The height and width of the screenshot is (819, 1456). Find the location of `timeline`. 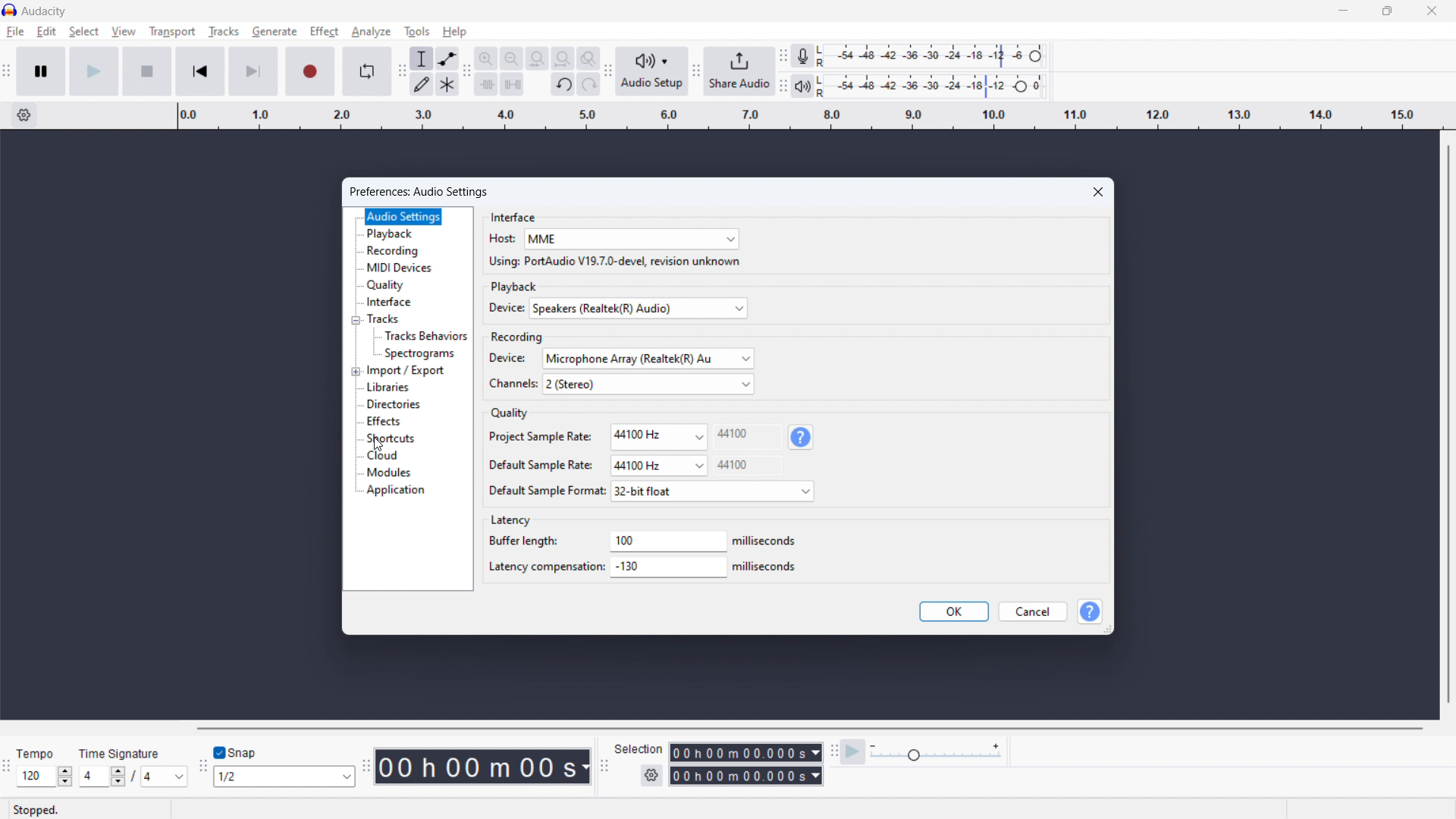

timeline is located at coordinates (816, 117).